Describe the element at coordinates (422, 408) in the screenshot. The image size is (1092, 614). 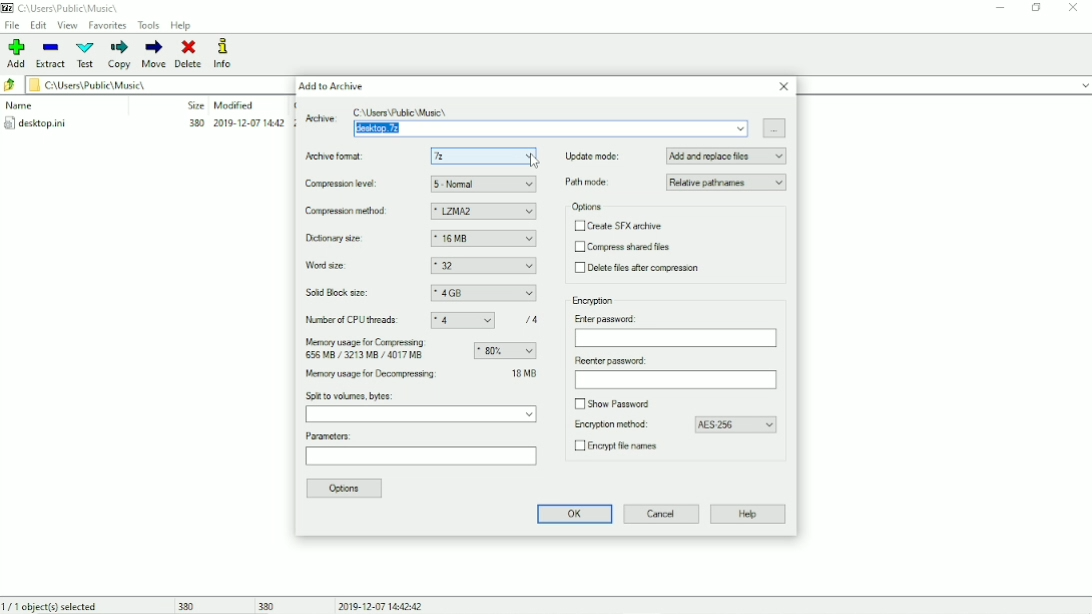
I see `Split to volumes` at that location.